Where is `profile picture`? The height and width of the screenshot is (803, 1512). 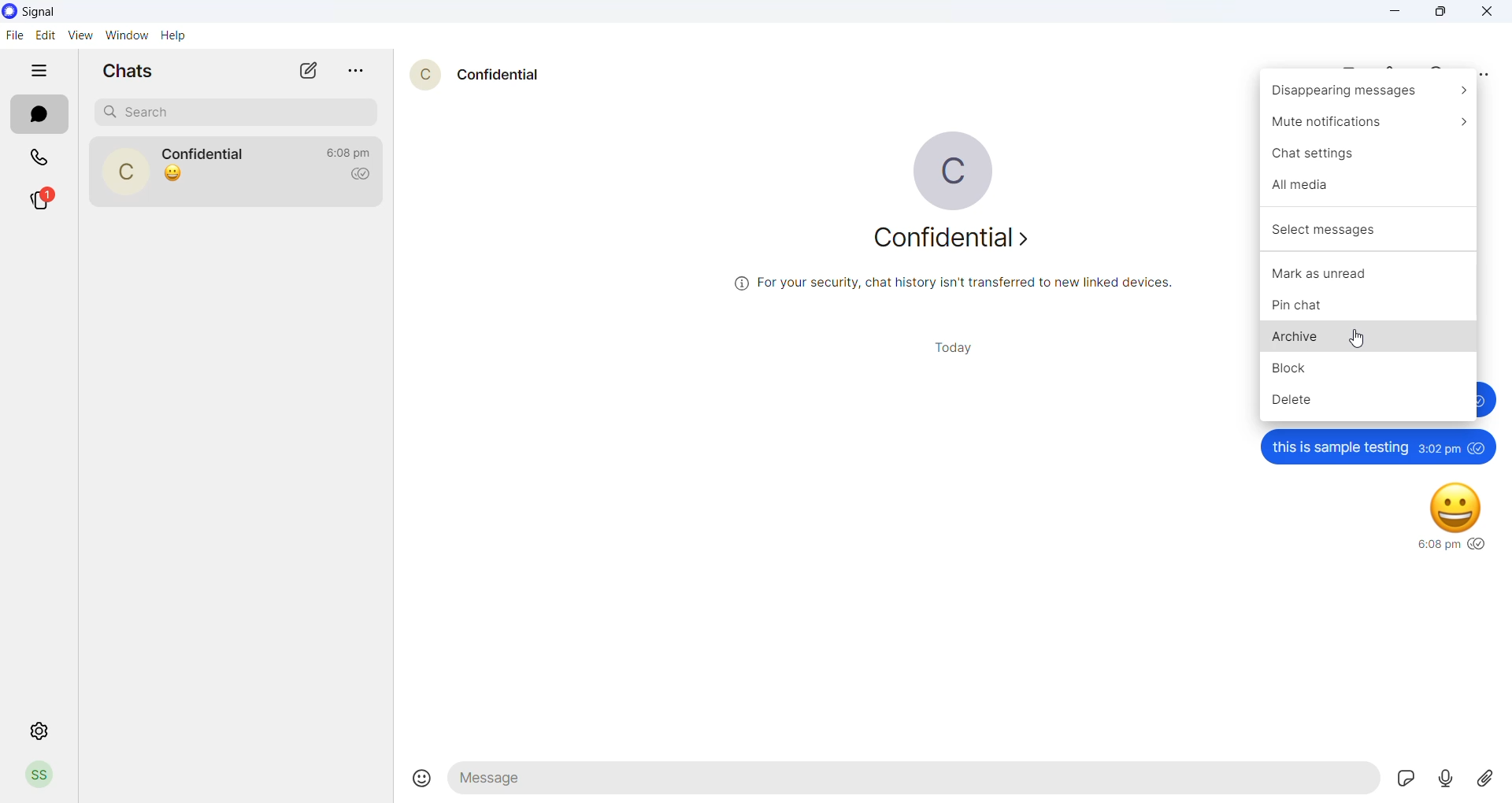 profile picture is located at coordinates (943, 168).